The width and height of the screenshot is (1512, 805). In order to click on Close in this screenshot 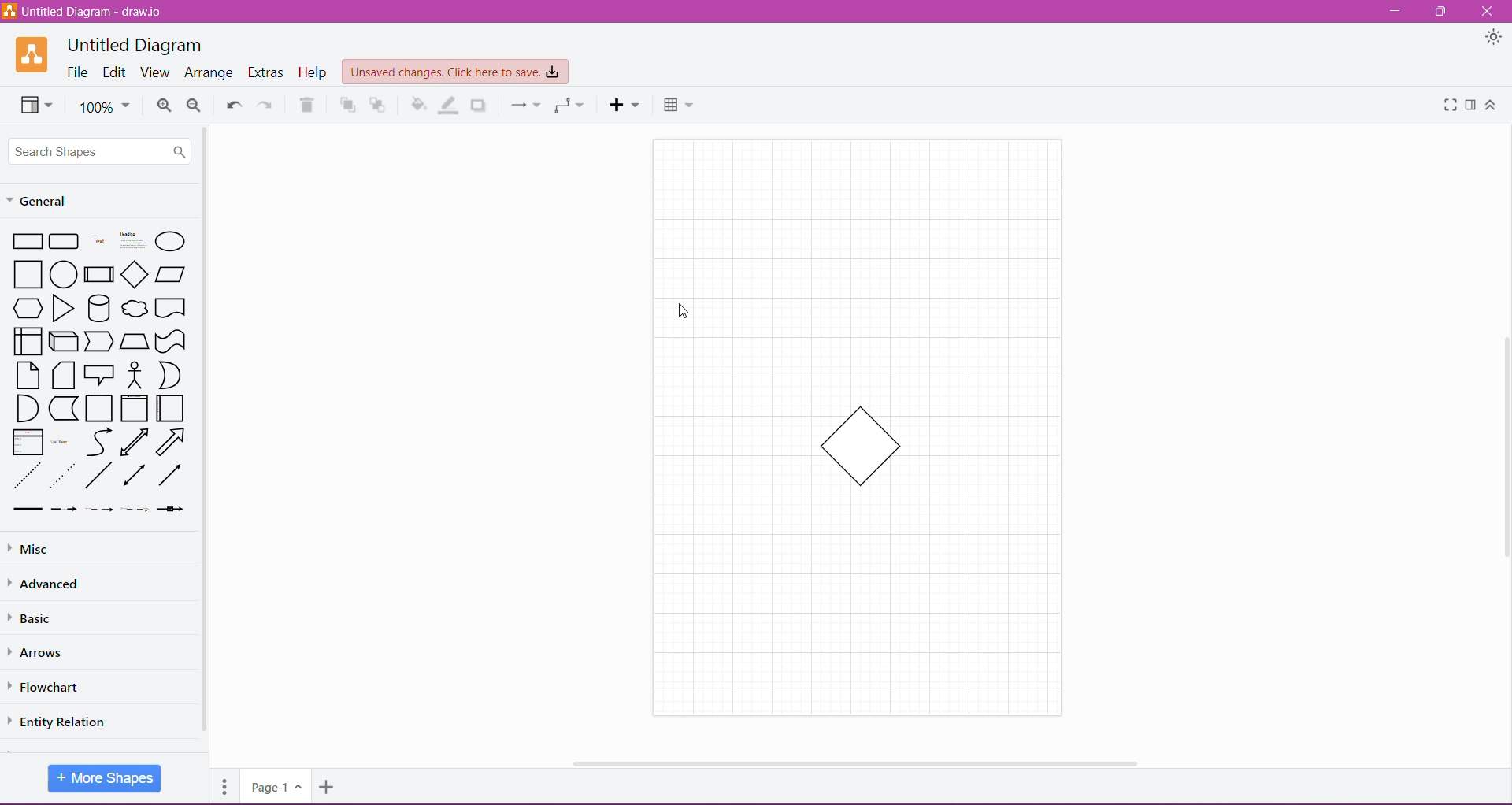, I will do `click(1488, 10)`.